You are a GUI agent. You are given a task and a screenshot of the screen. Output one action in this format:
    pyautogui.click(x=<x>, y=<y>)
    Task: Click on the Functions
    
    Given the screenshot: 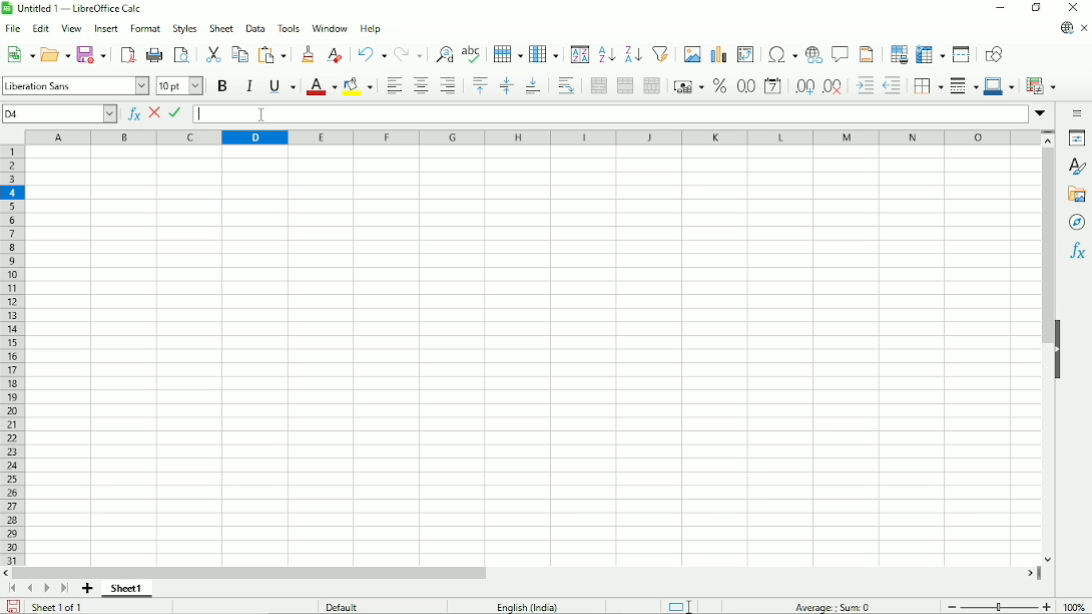 What is the action you would take?
    pyautogui.click(x=1077, y=251)
    